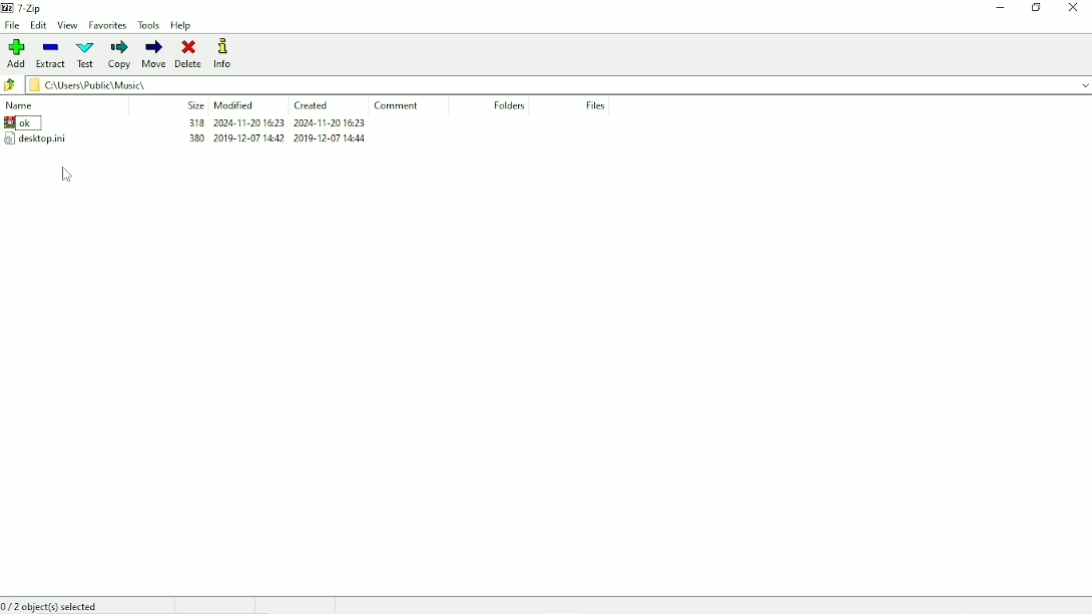 This screenshot has height=614, width=1092. What do you see at coordinates (40, 123) in the screenshot?
I see `ok ` at bounding box center [40, 123].